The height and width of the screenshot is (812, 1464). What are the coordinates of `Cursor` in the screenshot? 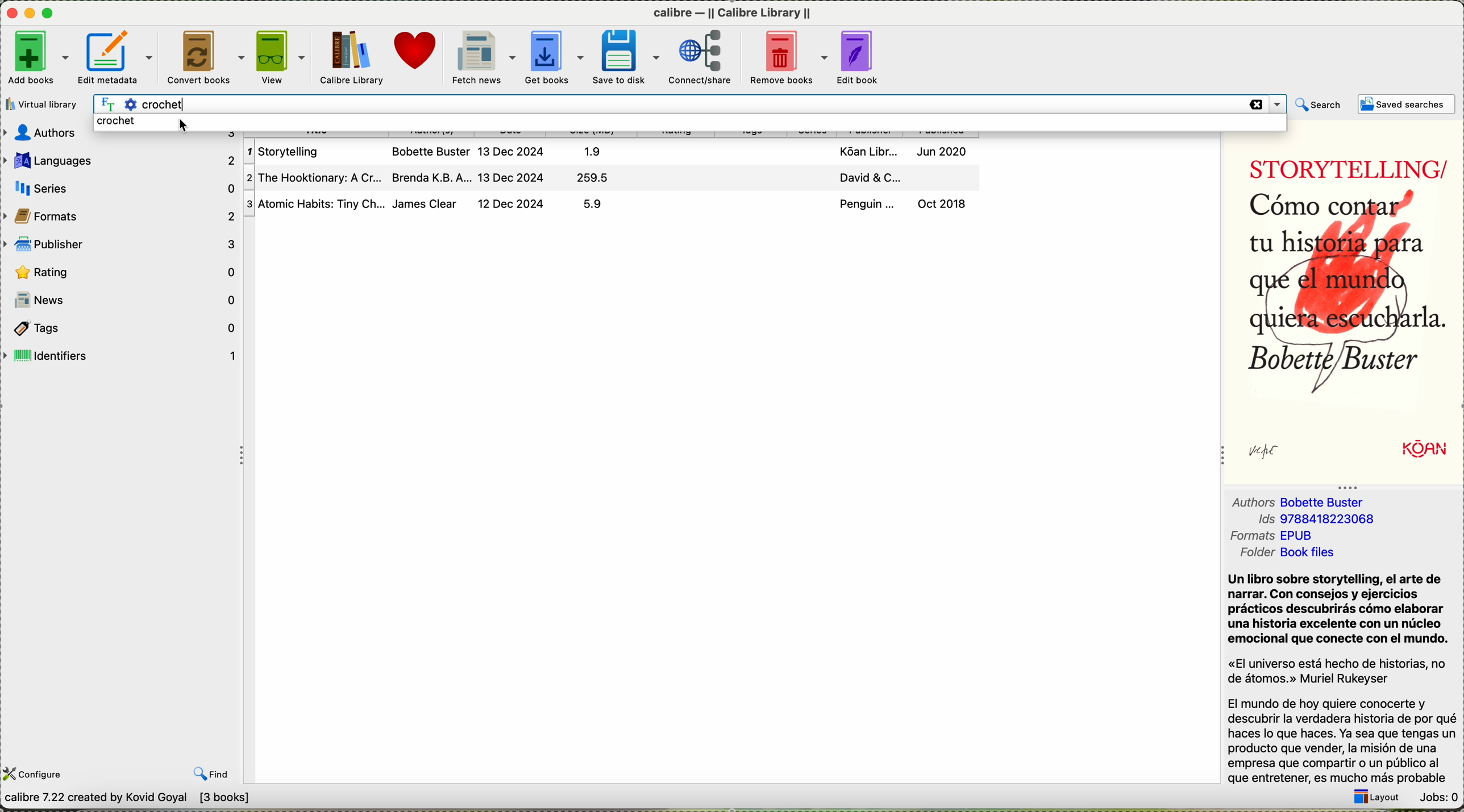 It's located at (192, 123).